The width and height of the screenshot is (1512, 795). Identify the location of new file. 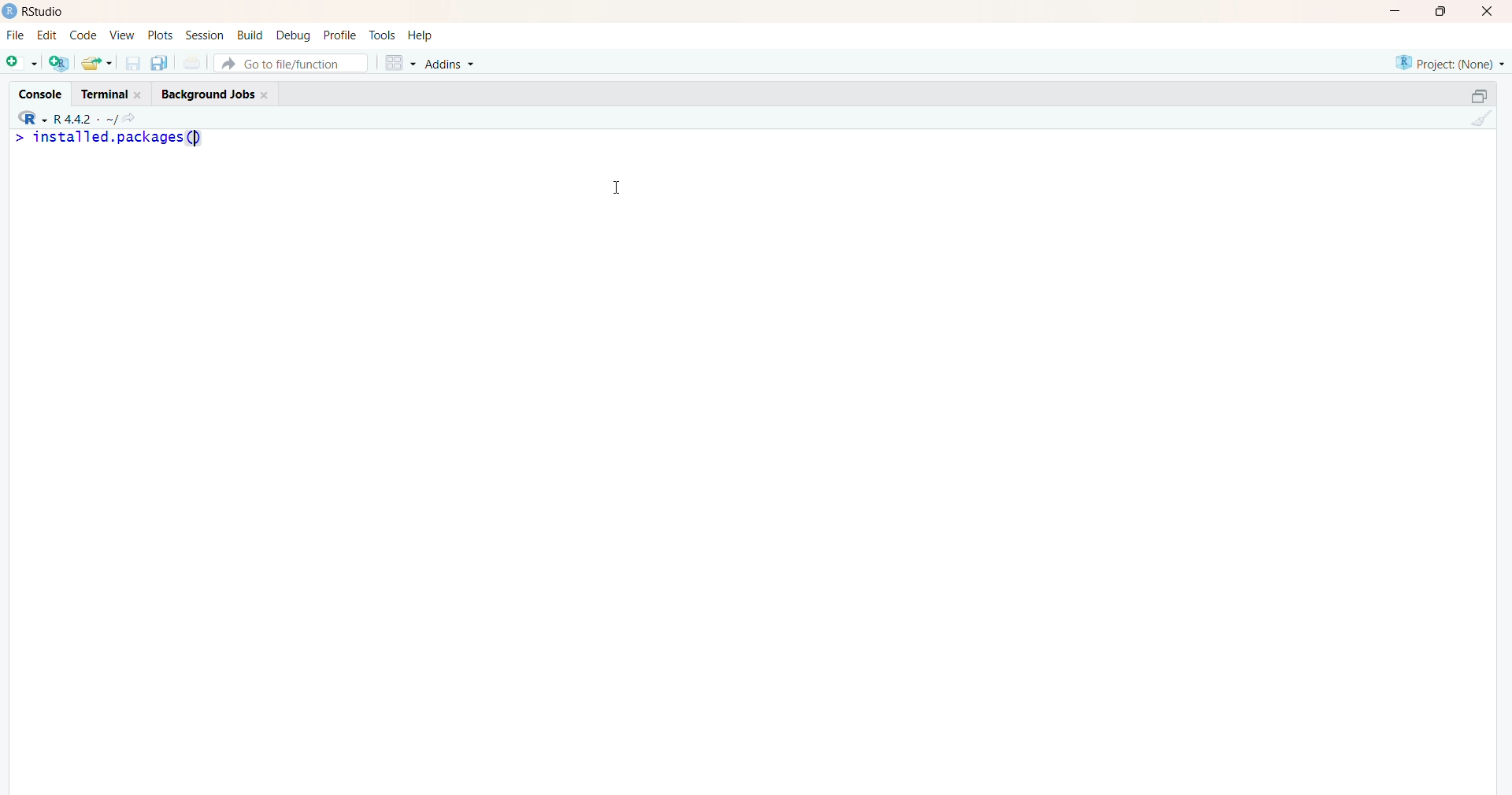
(21, 65).